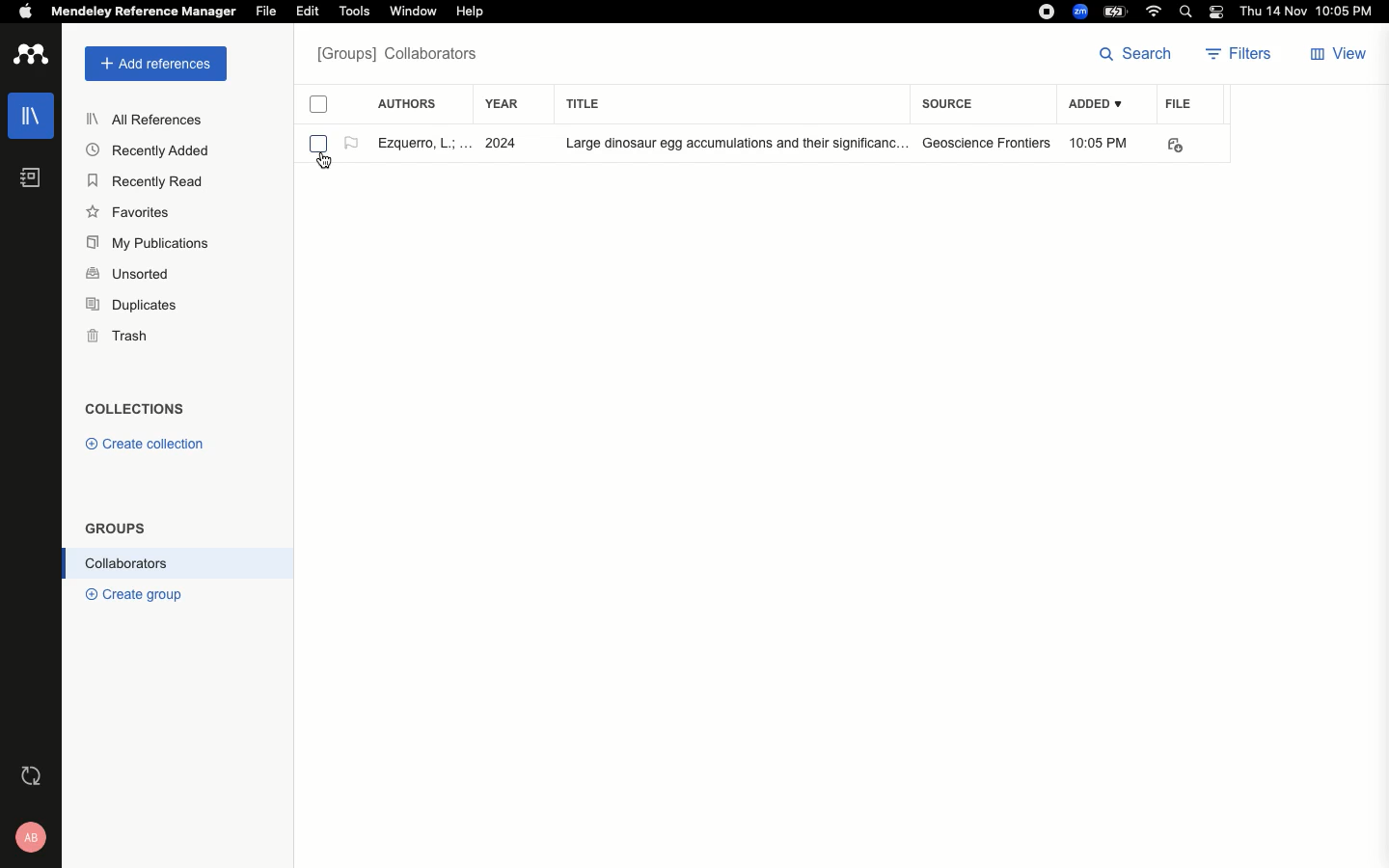 The width and height of the screenshot is (1389, 868). What do you see at coordinates (1341, 55) in the screenshot?
I see `View ` at bounding box center [1341, 55].